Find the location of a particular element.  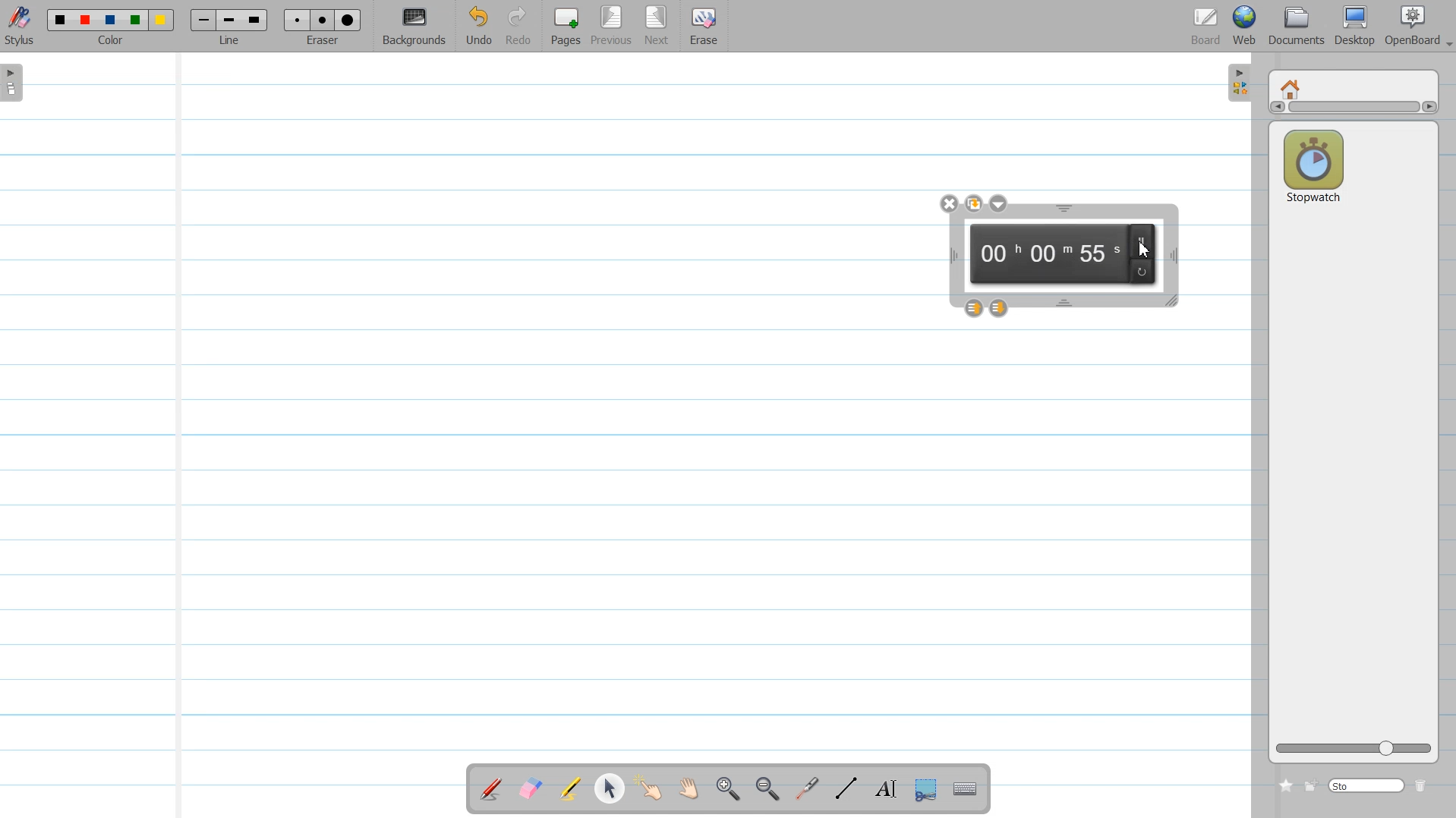

Cursor is located at coordinates (1142, 249).